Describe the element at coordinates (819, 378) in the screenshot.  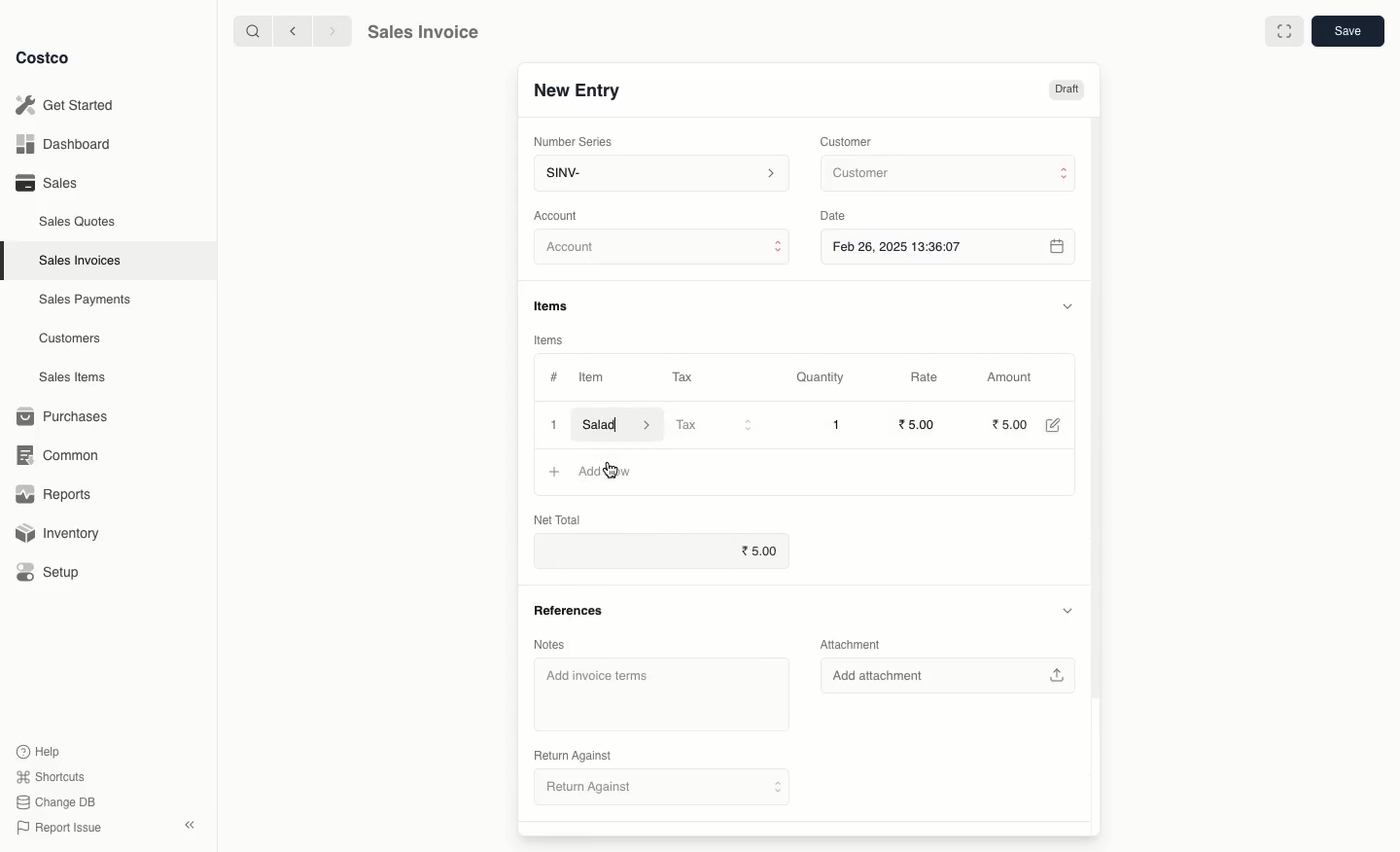
I see `Quantity` at that location.